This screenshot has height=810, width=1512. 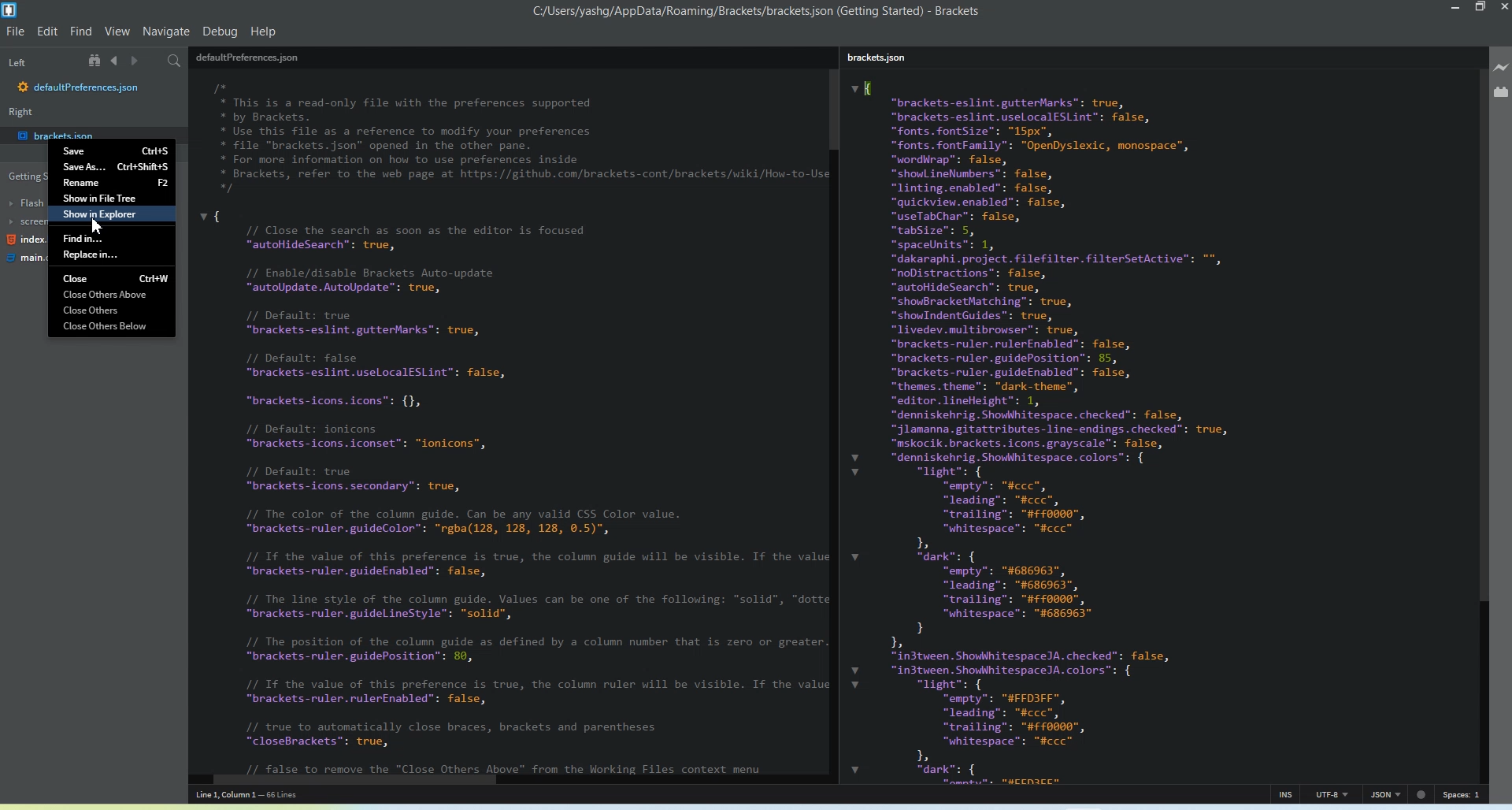 What do you see at coordinates (111, 167) in the screenshot?
I see `Save As` at bounding box center [111, 167].